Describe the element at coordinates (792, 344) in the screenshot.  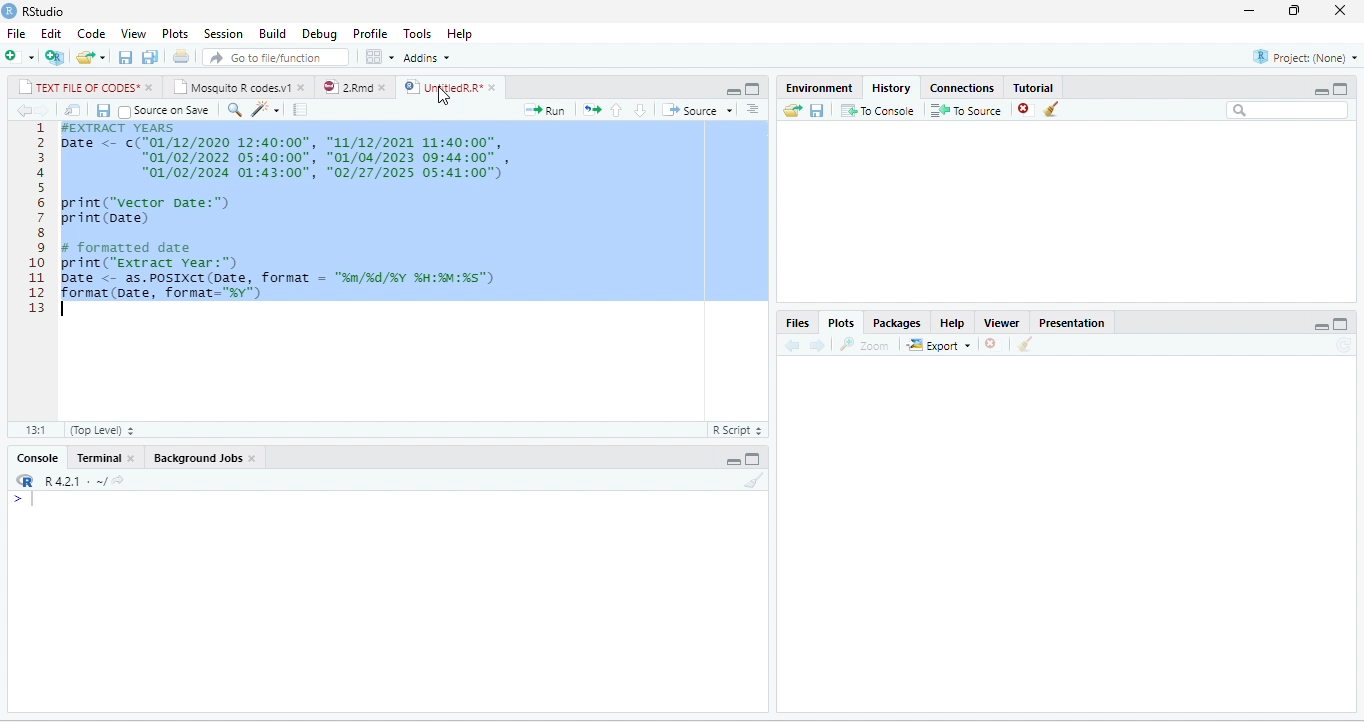
I see `back` at that location.